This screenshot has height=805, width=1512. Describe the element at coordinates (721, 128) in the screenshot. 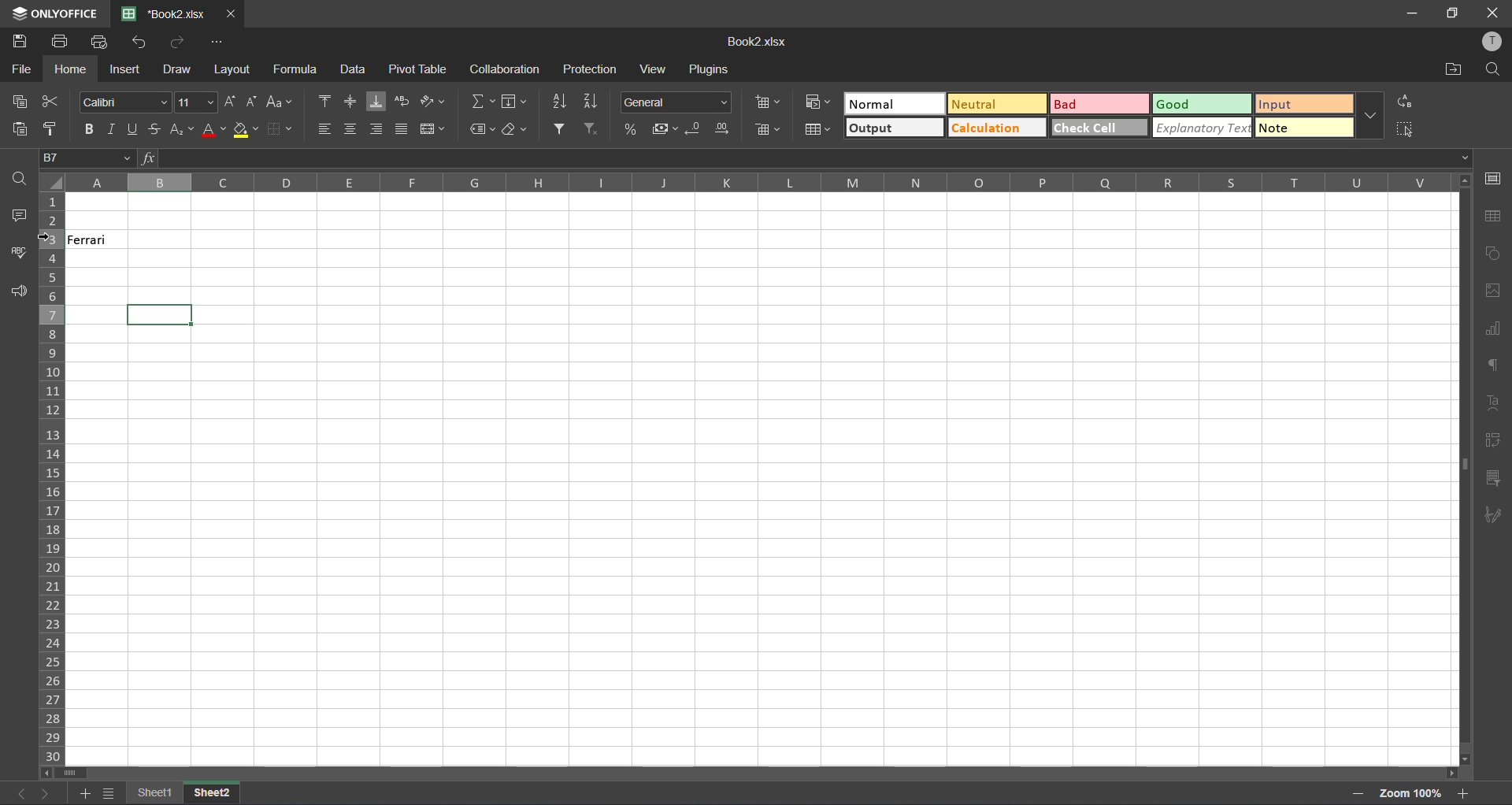

I see `increase decimal` at that location.